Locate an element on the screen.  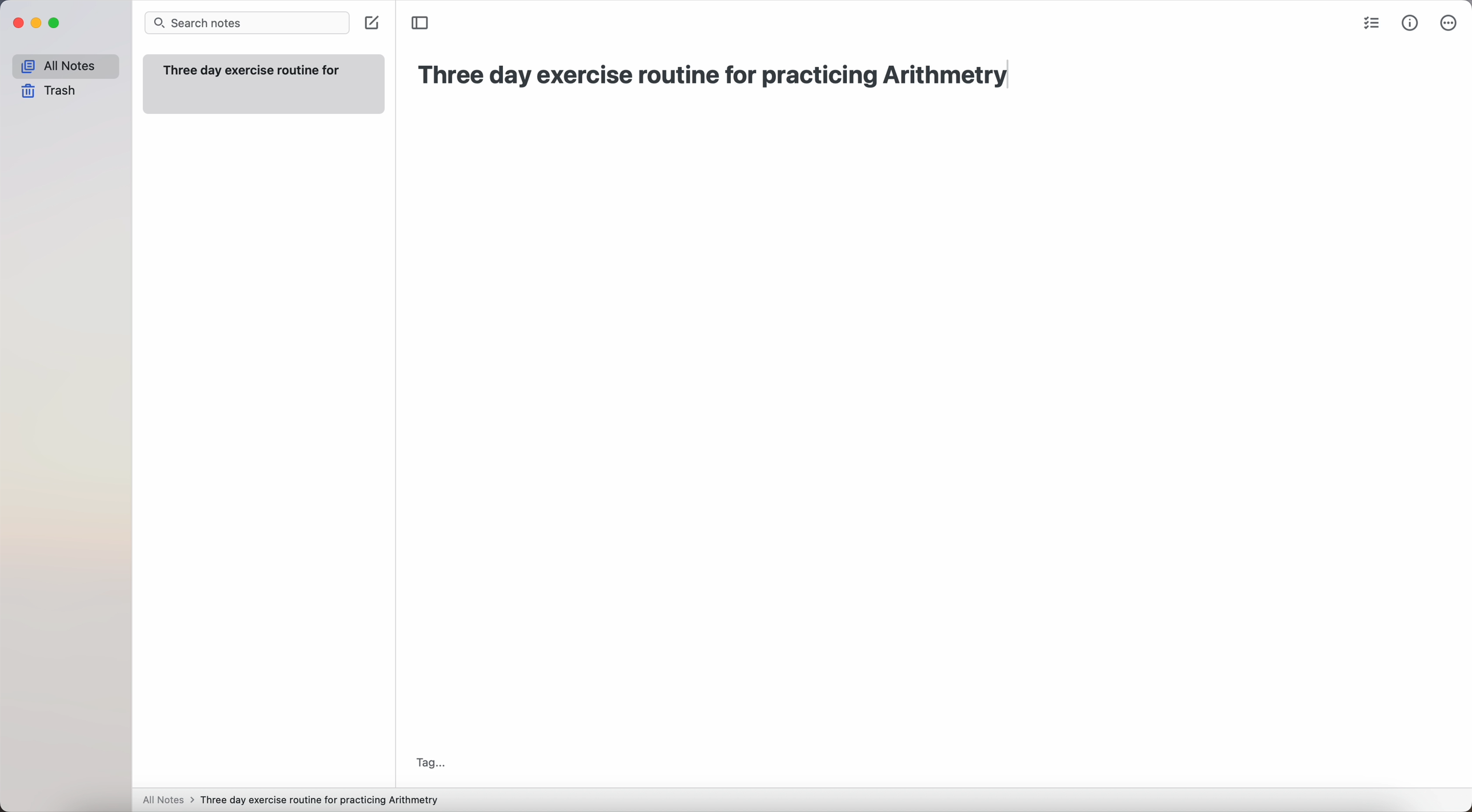
three day exercise routine for is located at coordinates (255, 70).